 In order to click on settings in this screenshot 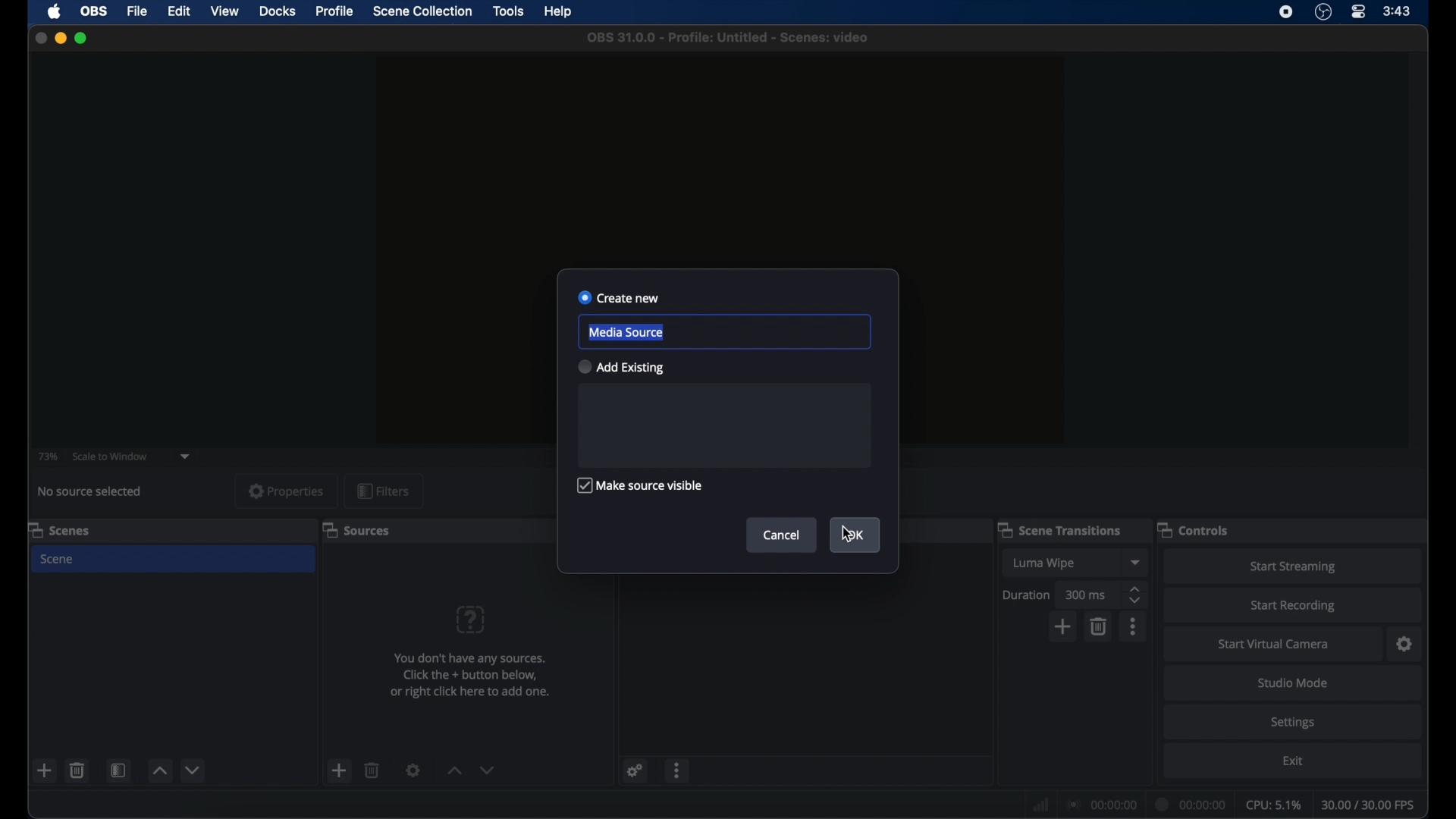, I will do `click(635, 770)`.